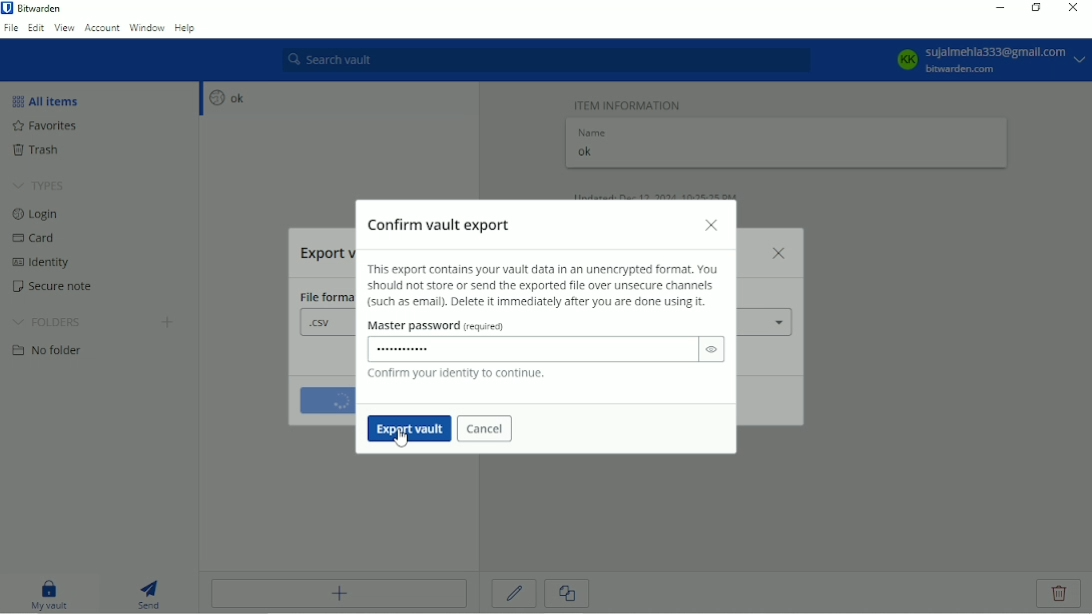 The image size is (1092, 614). I want to click on Close, so click(712, 226).